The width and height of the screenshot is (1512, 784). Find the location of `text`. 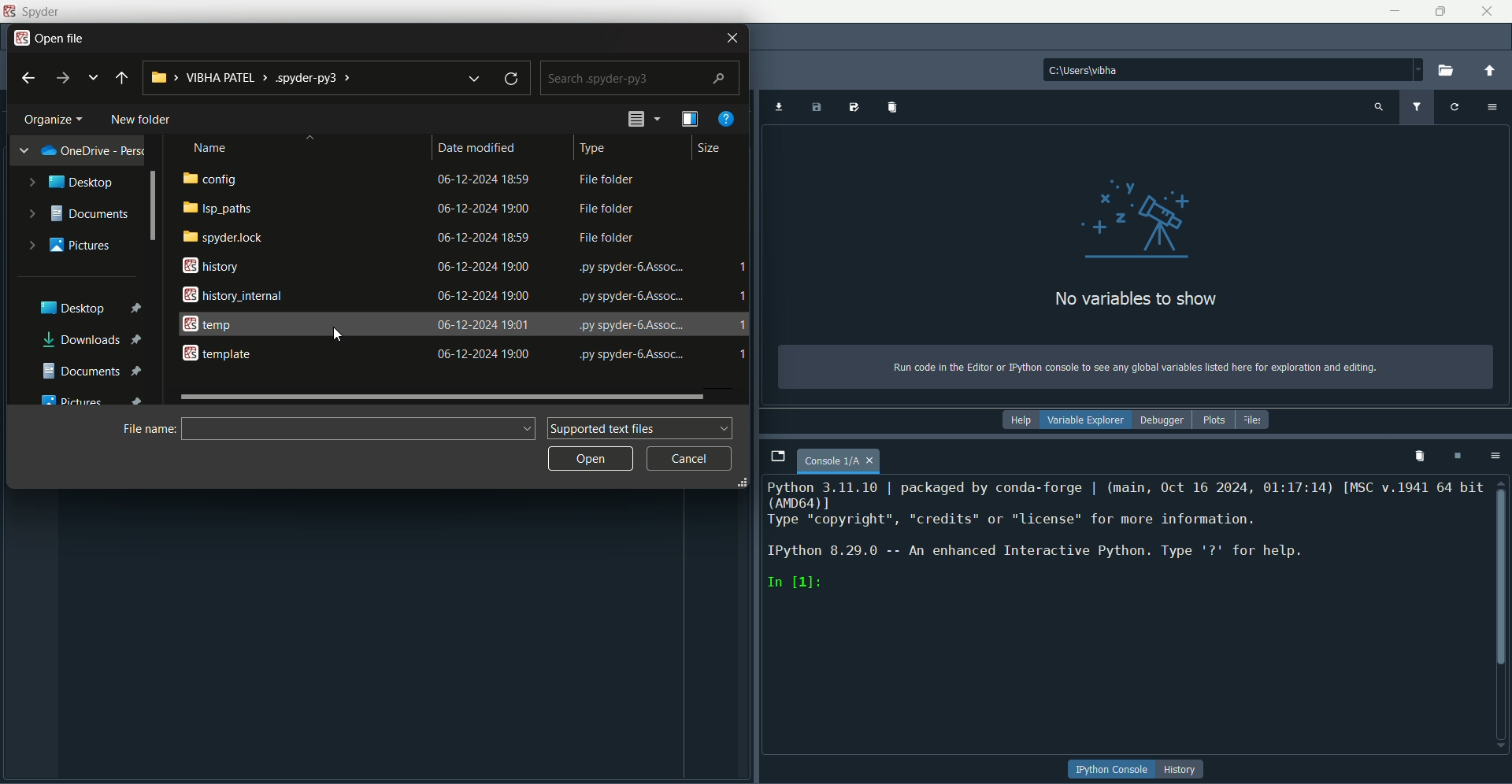

text is located at coordinates (607, 181).